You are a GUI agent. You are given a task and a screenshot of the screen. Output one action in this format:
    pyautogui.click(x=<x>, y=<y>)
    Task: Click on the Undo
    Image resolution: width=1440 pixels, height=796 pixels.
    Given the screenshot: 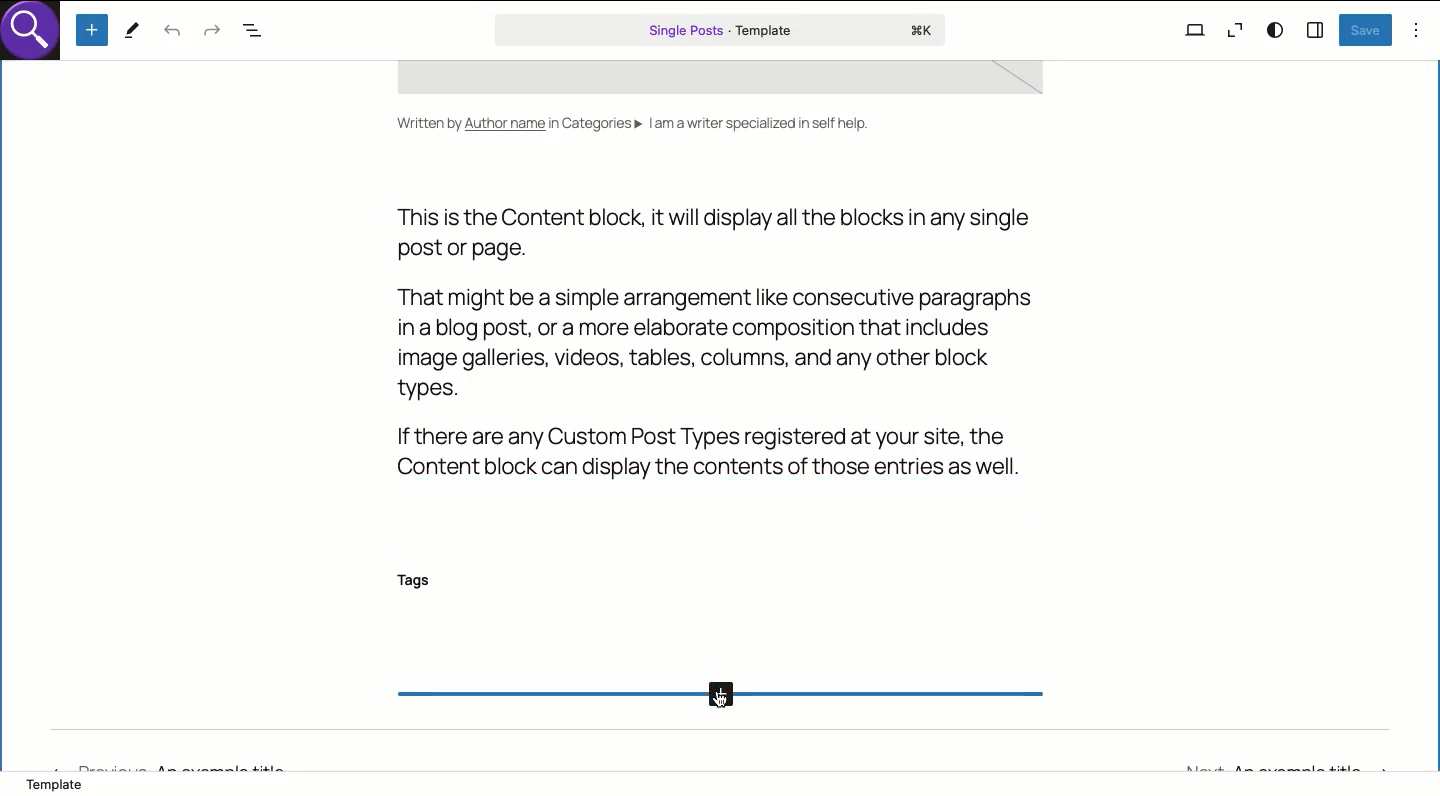 What is the action you would take?
    pyautogui.click(x=172, y=32)
    